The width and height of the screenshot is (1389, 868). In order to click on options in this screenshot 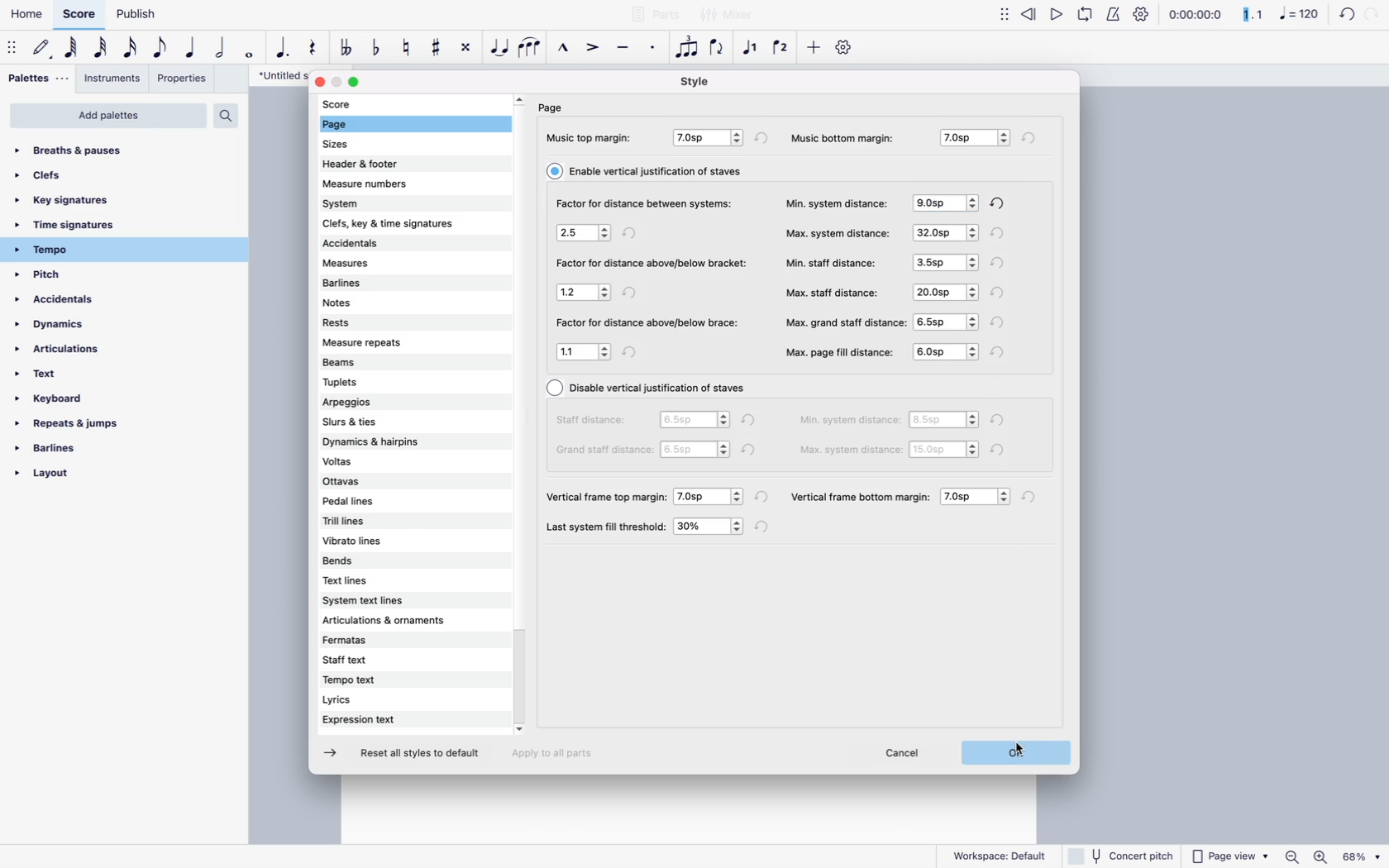, I will do `click(944, 291)`.